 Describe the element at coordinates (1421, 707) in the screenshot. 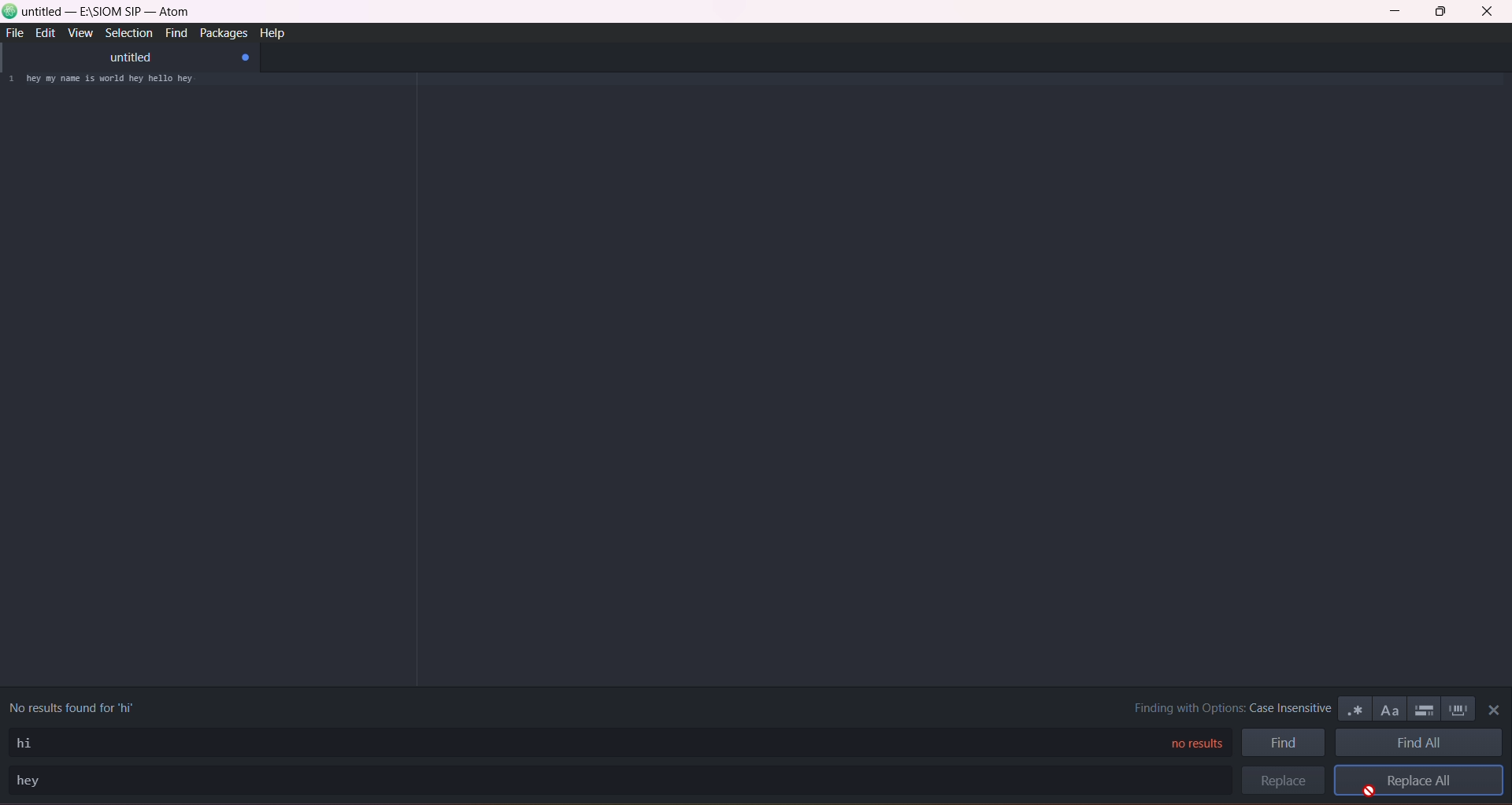

I see `only in selection` at that location.